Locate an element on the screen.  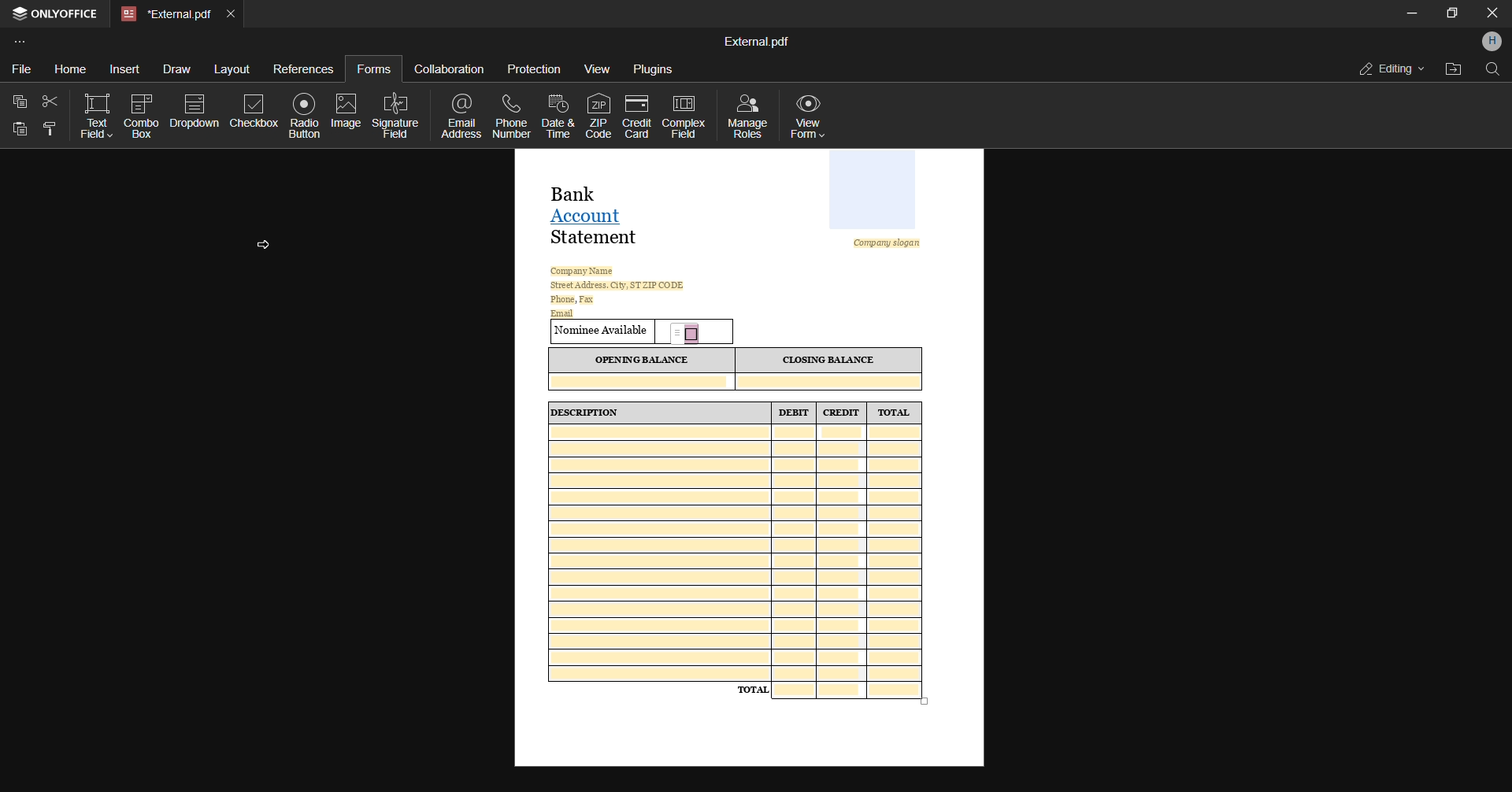
file is located at coordinates (19, 71).